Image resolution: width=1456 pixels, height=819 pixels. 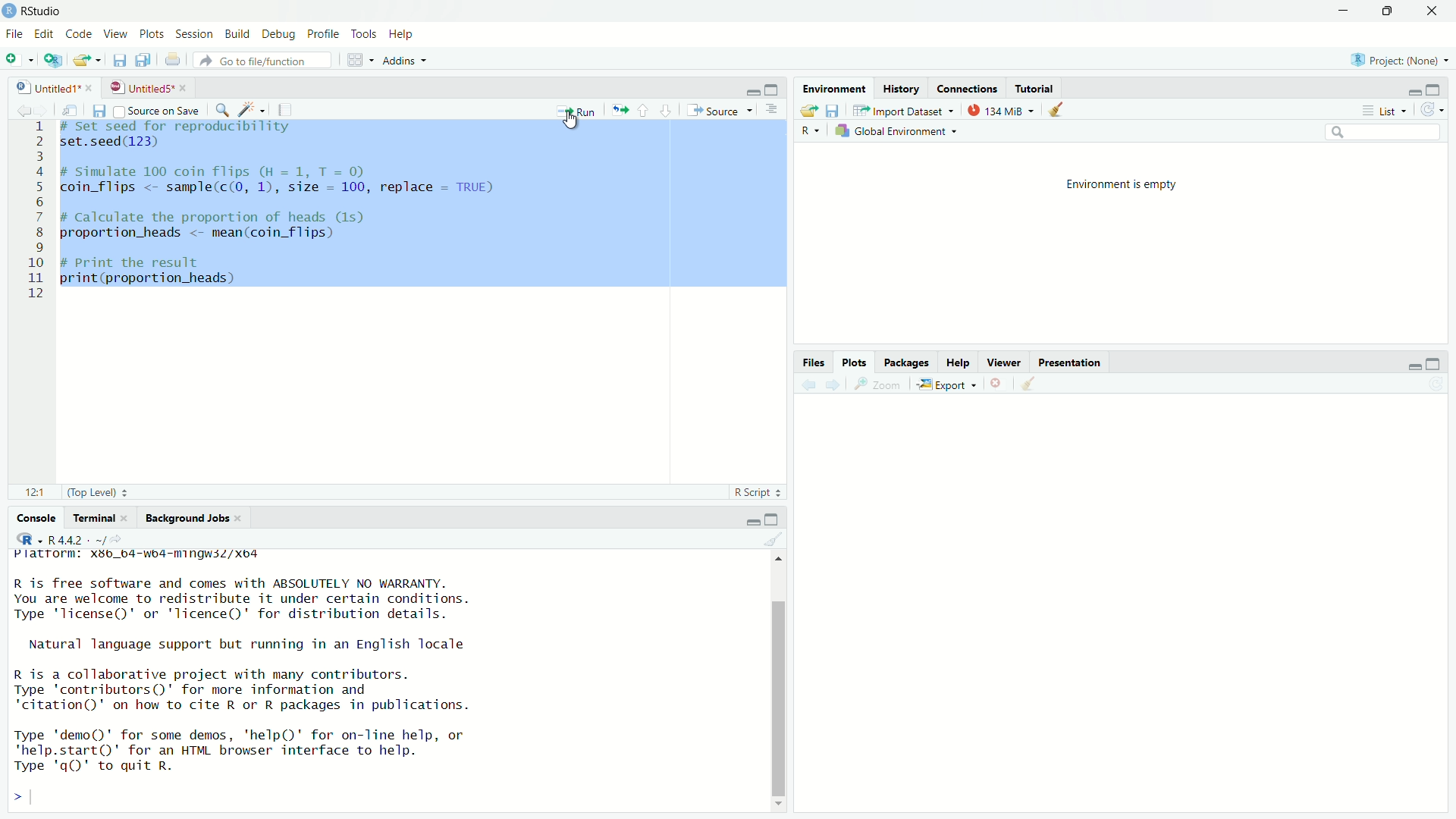 What do you see at coordinates (667, 111) in the screenshot?
I see `go to next section/chunk` at bounding box center [667, 111].